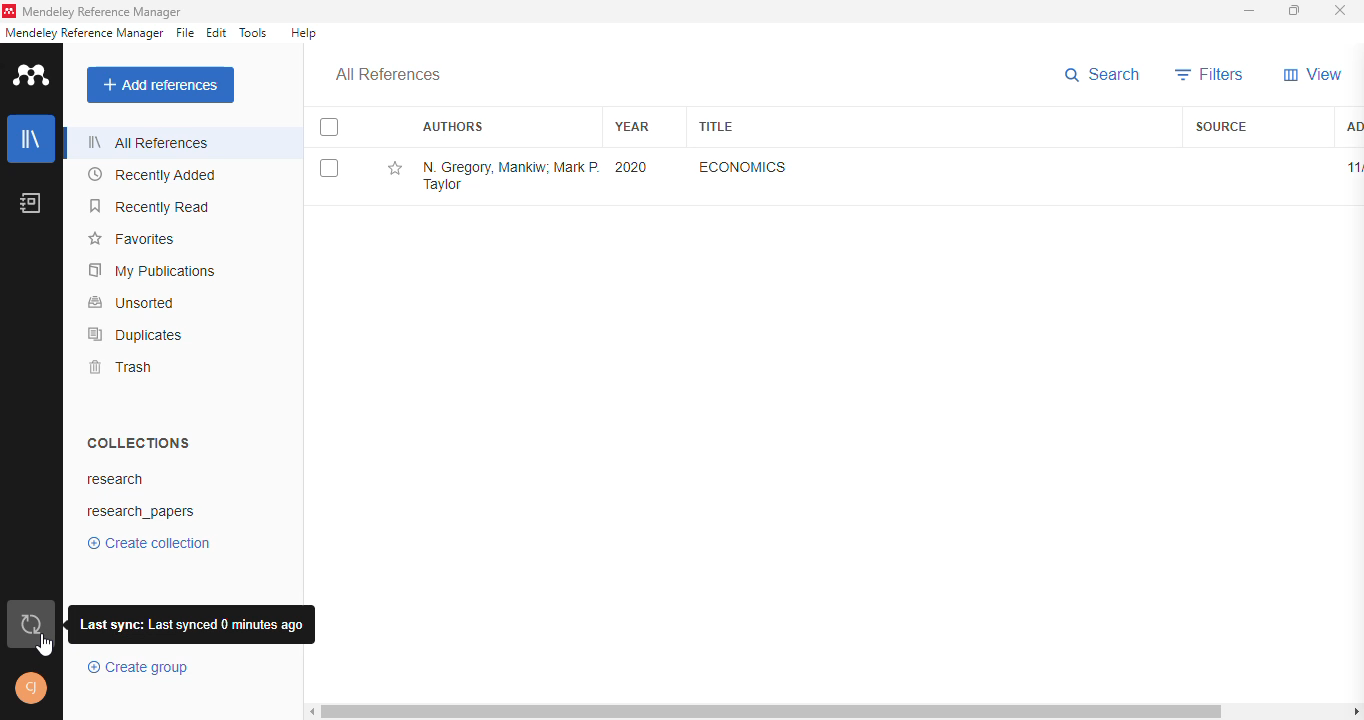  Describe the element at coordinates (152, 269) in the screenshot. I see `my publications` at that location.